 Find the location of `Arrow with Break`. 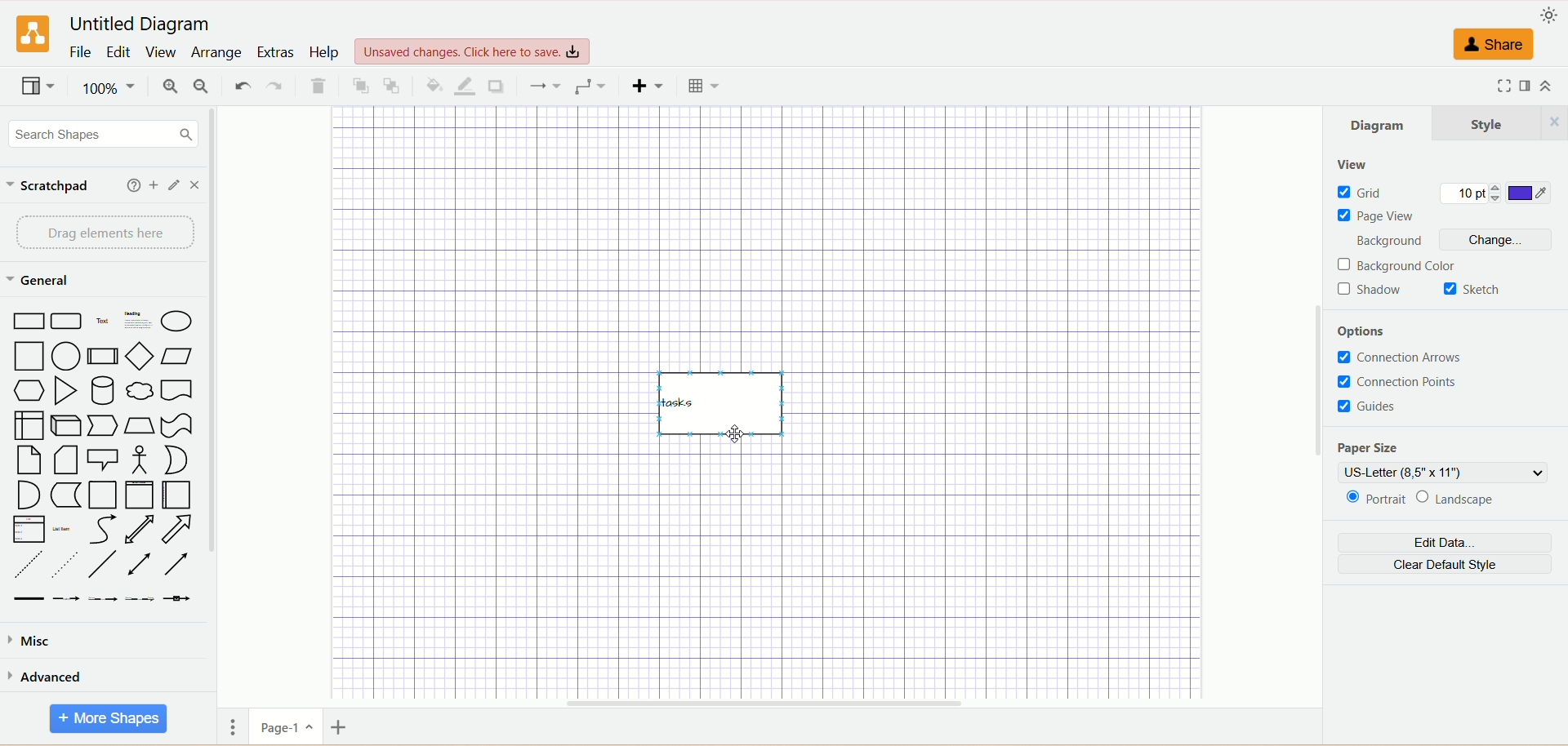

Arrow with Break is located at coordinates (67, 599).